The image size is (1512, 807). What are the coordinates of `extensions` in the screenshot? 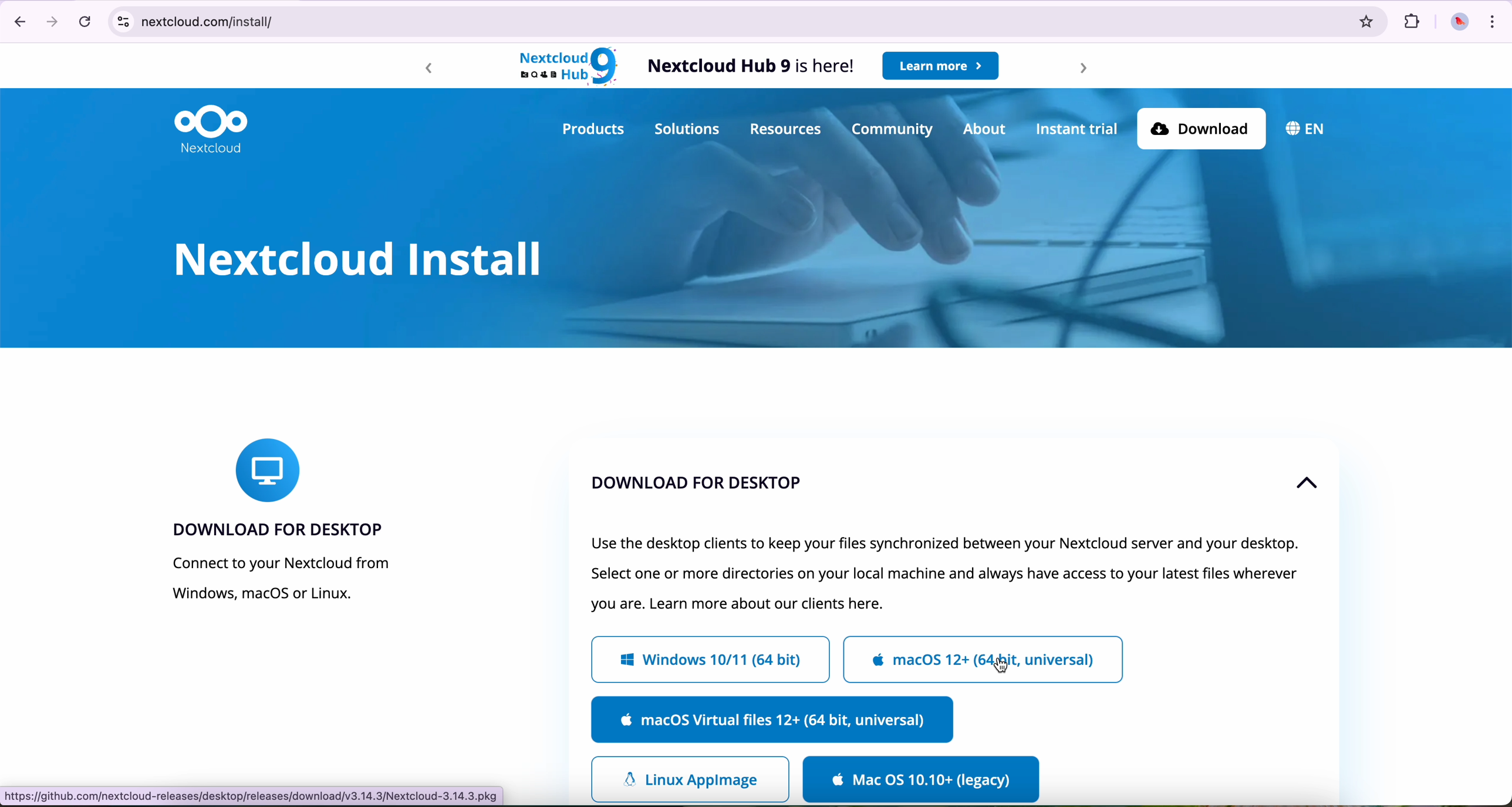 It's located at (1413, 22).